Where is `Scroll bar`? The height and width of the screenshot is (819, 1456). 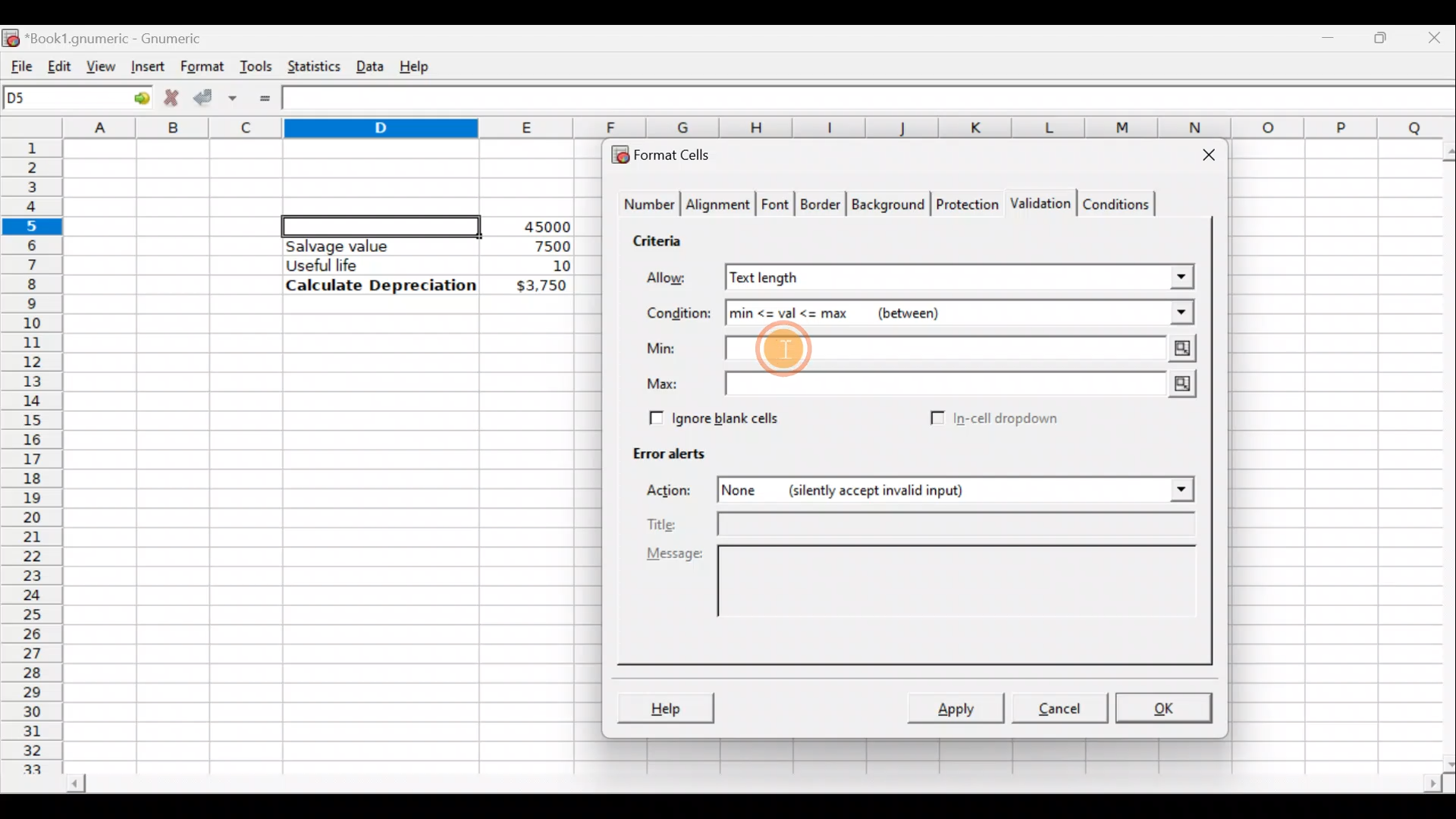 Scroll bar is located at coordinates (1439, 454).